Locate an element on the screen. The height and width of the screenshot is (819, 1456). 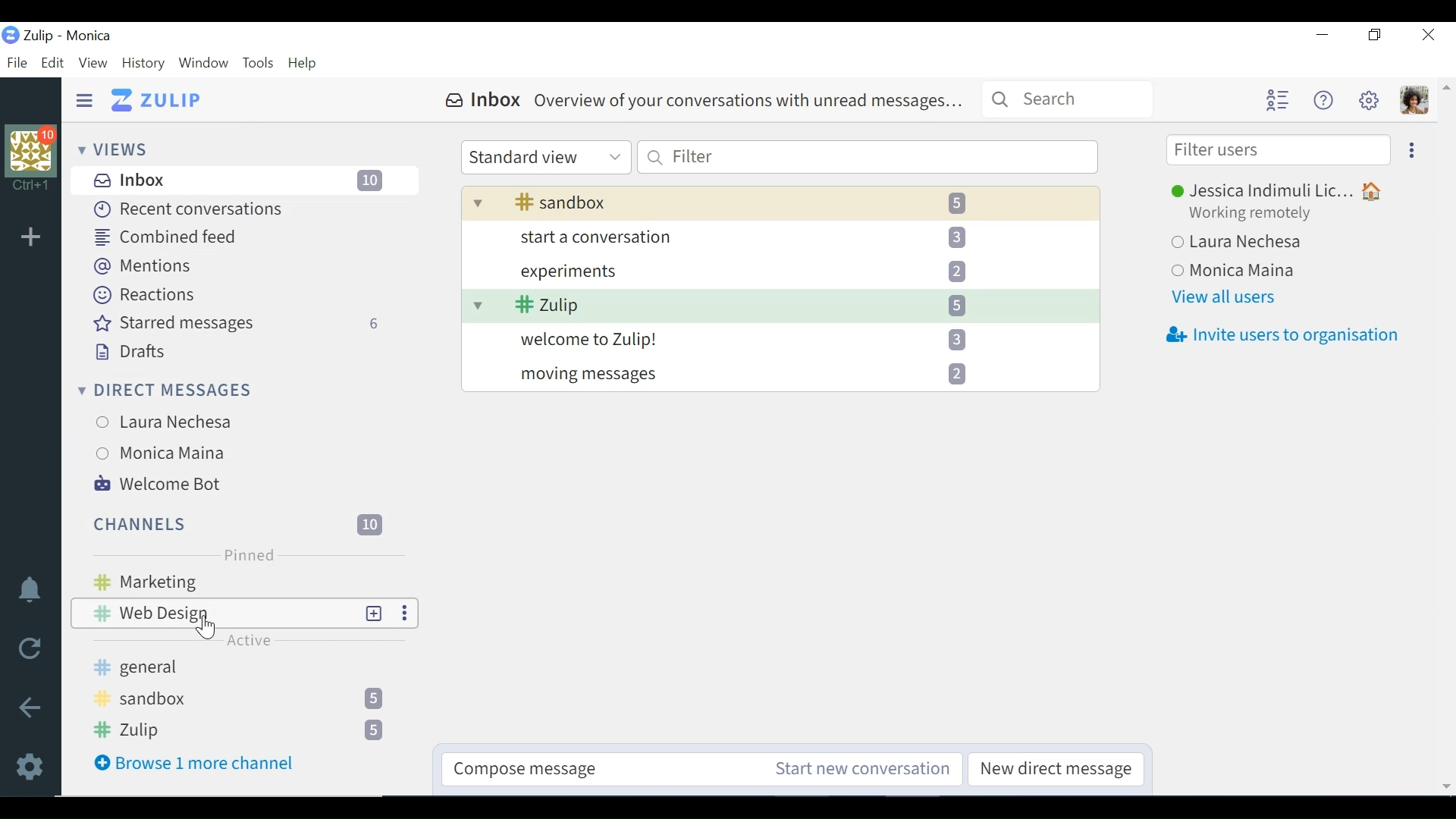
View is located at coordinates (92, 61).